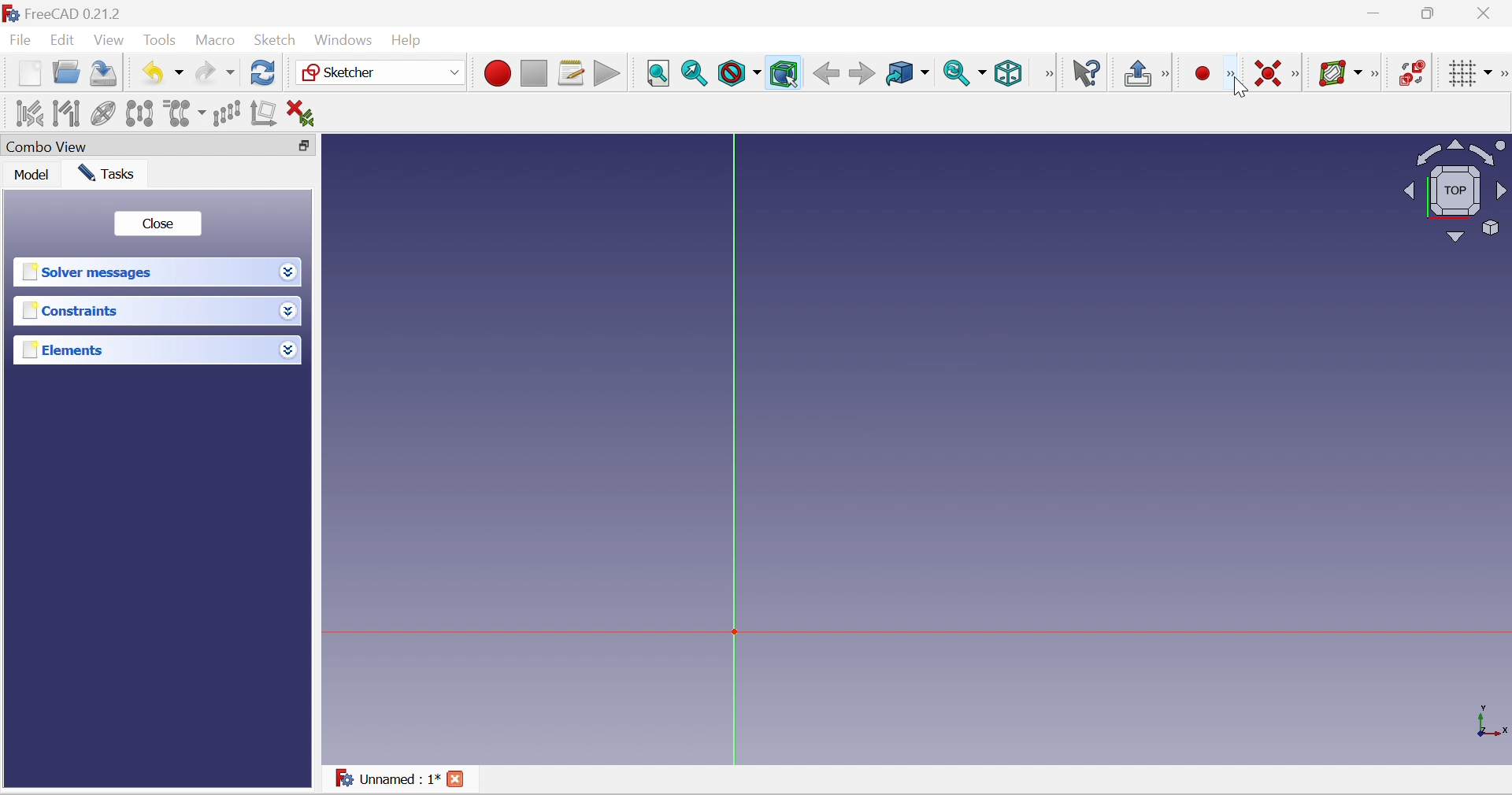 This screenshot has width=1512, height=795. What do you see at coordinates (1340, 74) in the screenshot?
I see `Show/hide B-spline information layer` at bounding box center [1340, 74].